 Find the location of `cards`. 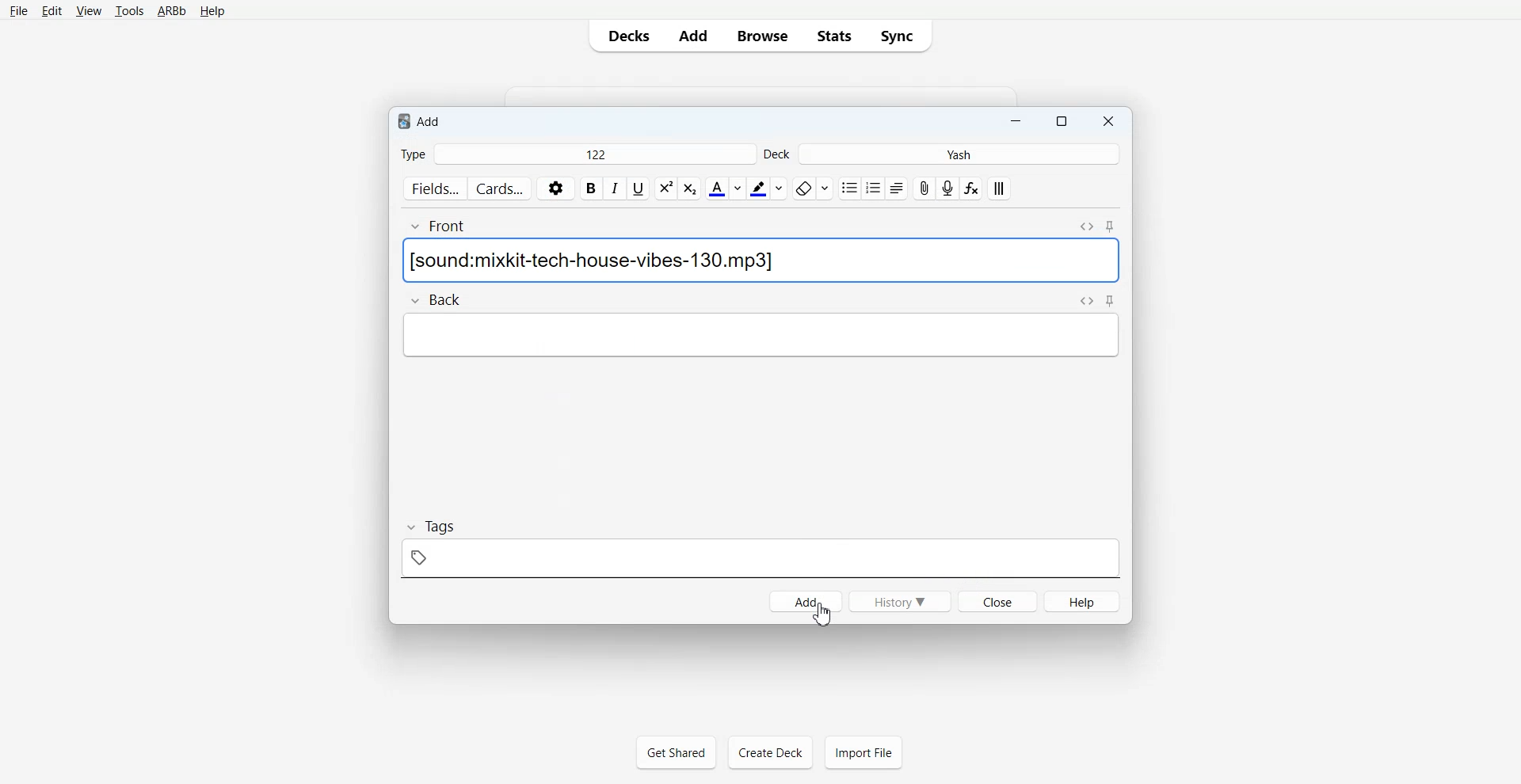

cards is located at coordinates (505, 188).